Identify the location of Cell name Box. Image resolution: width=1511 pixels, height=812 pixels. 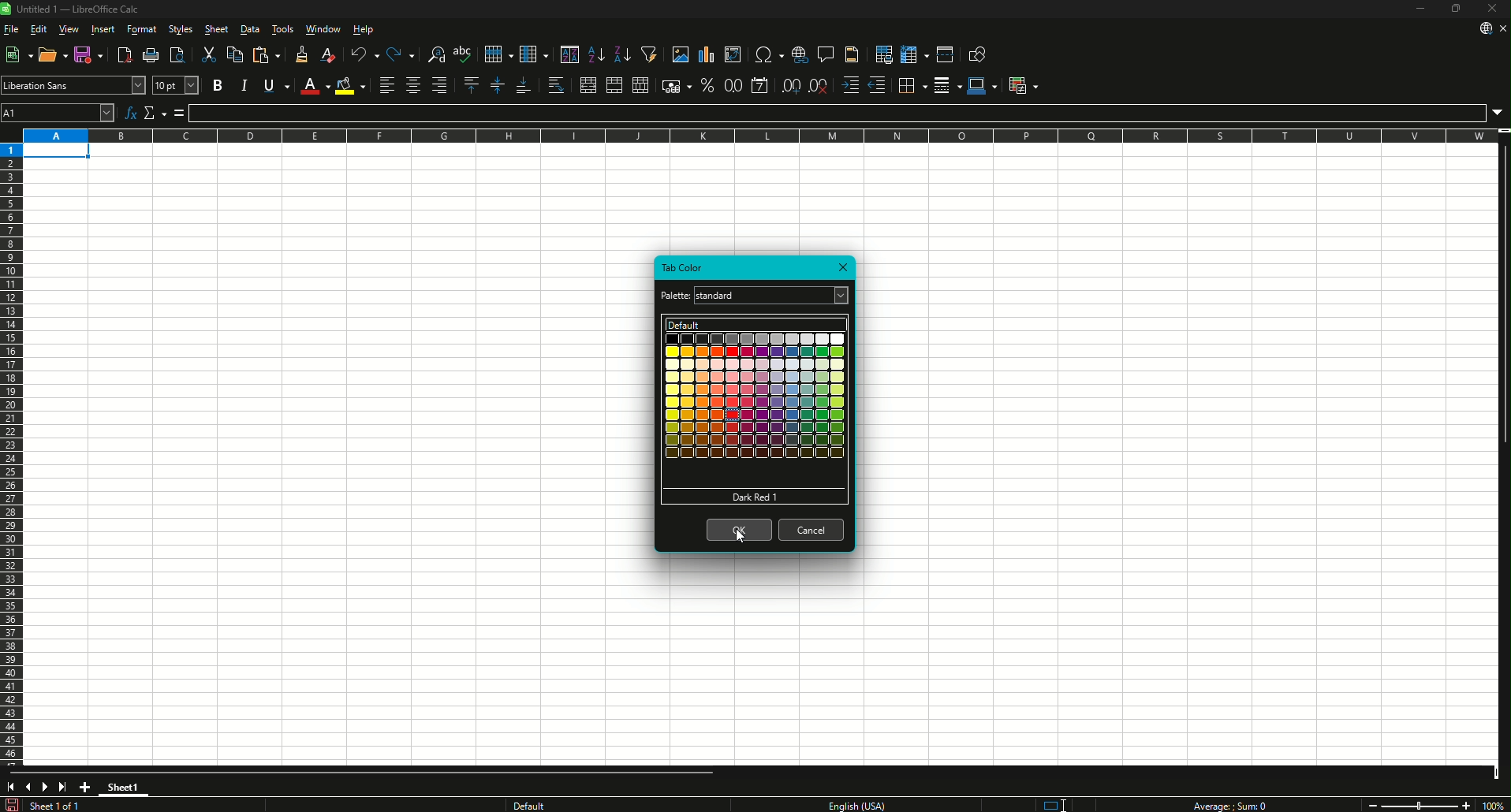
(58, 113).